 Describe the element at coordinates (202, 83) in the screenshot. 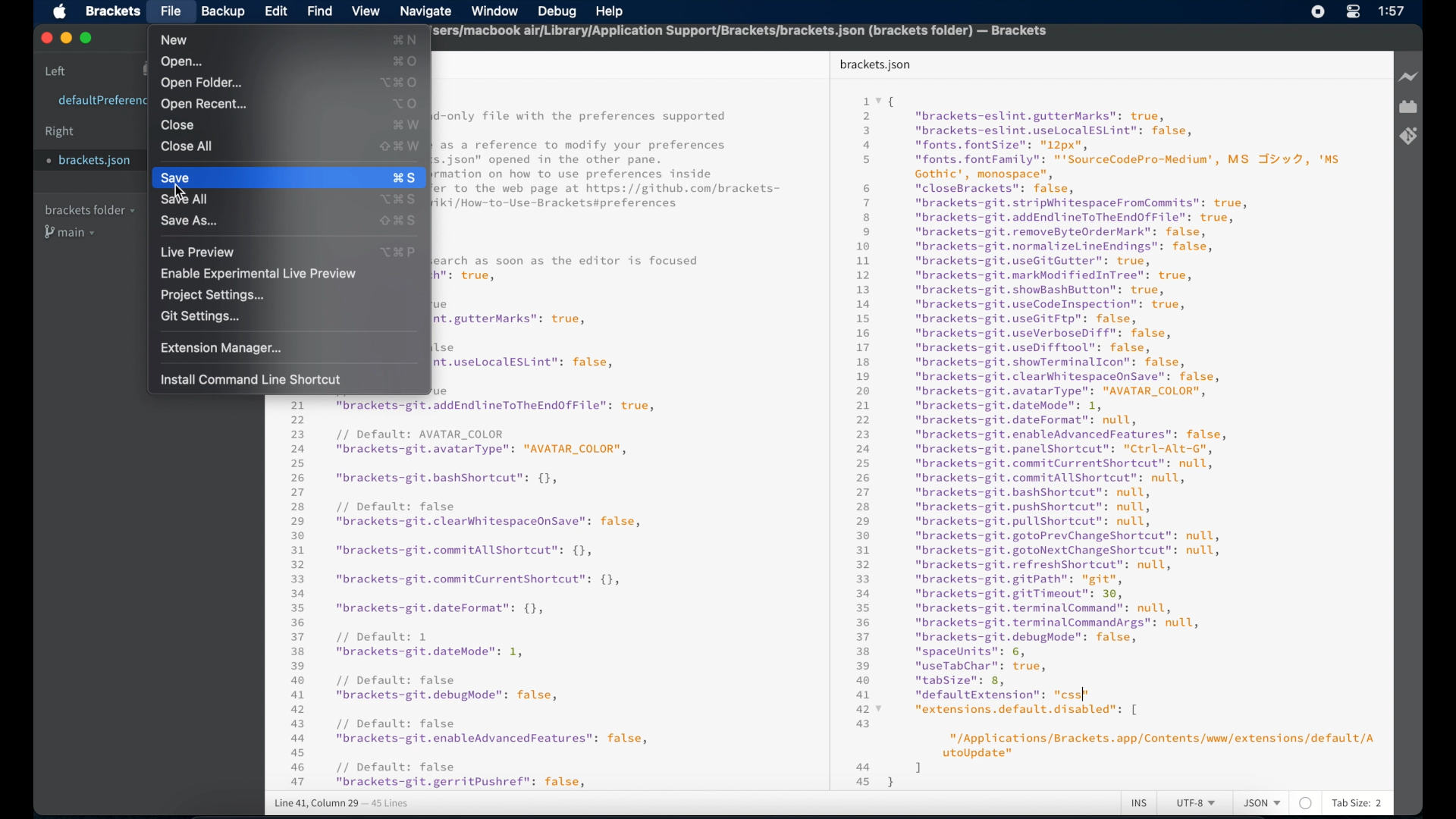

I see `open folder ` at that location.